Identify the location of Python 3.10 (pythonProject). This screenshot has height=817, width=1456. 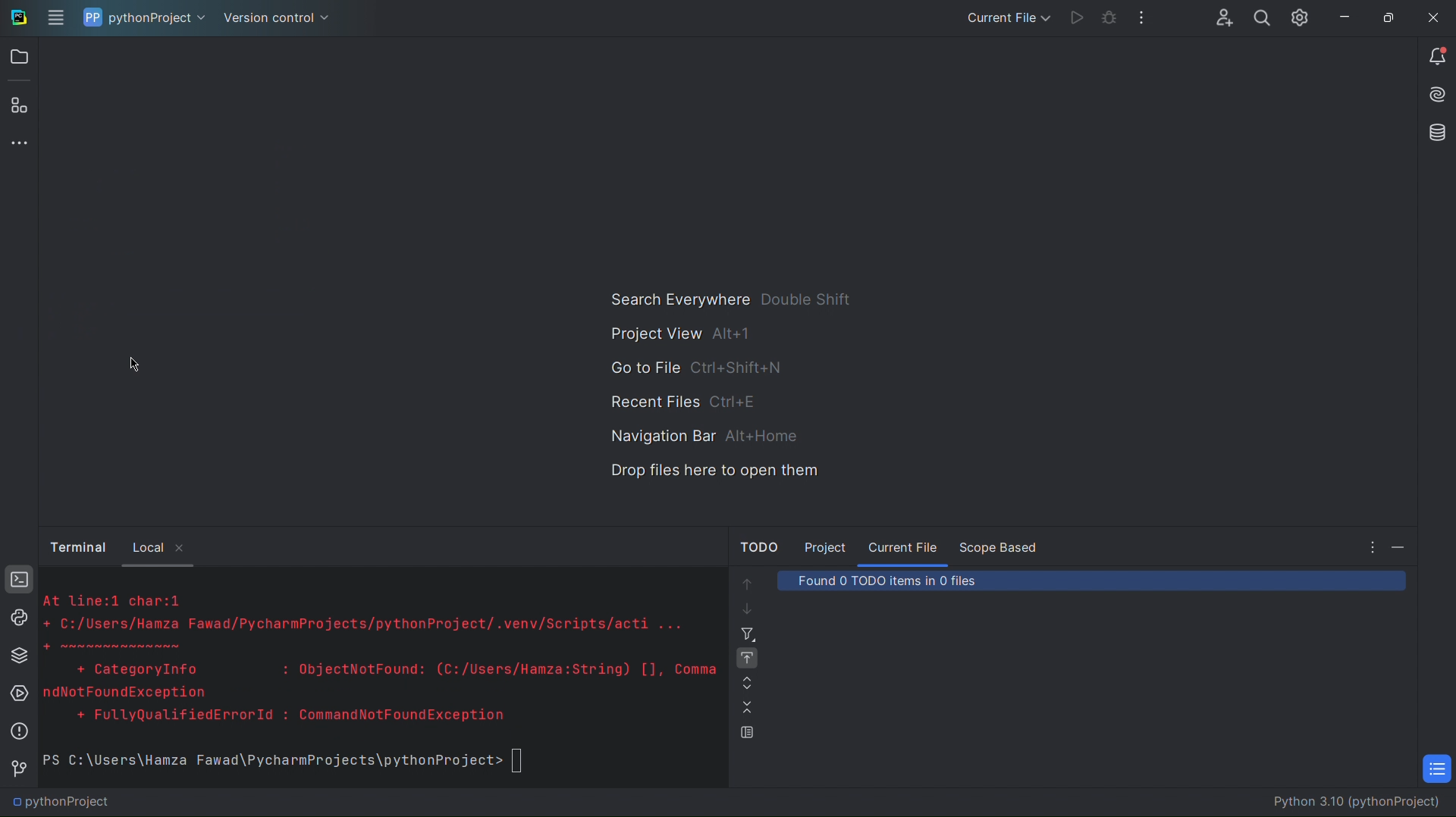
(1362, 803).